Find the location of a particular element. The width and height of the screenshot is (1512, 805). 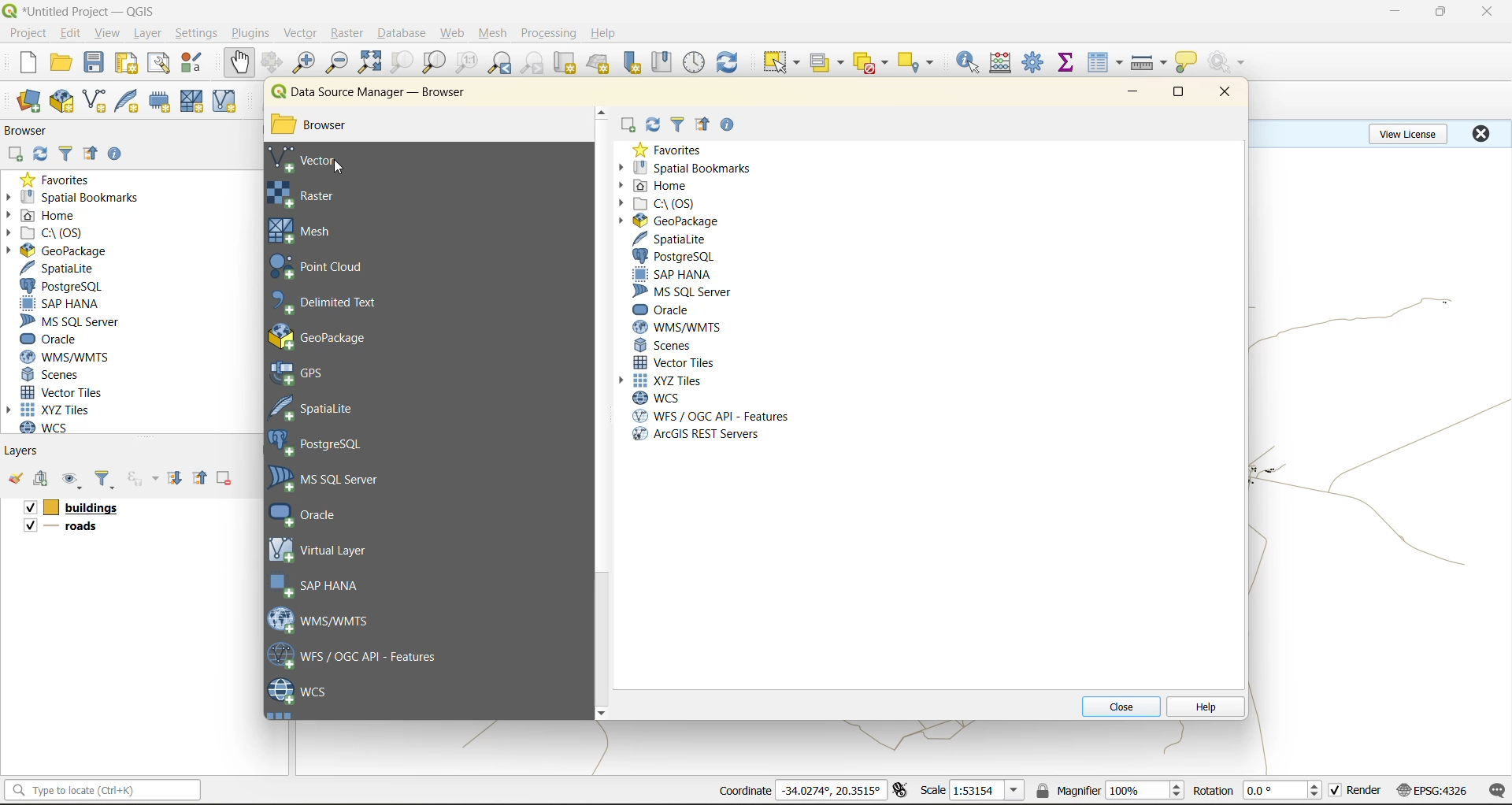

spatial bookmarks is located at coordinates (689, 166).